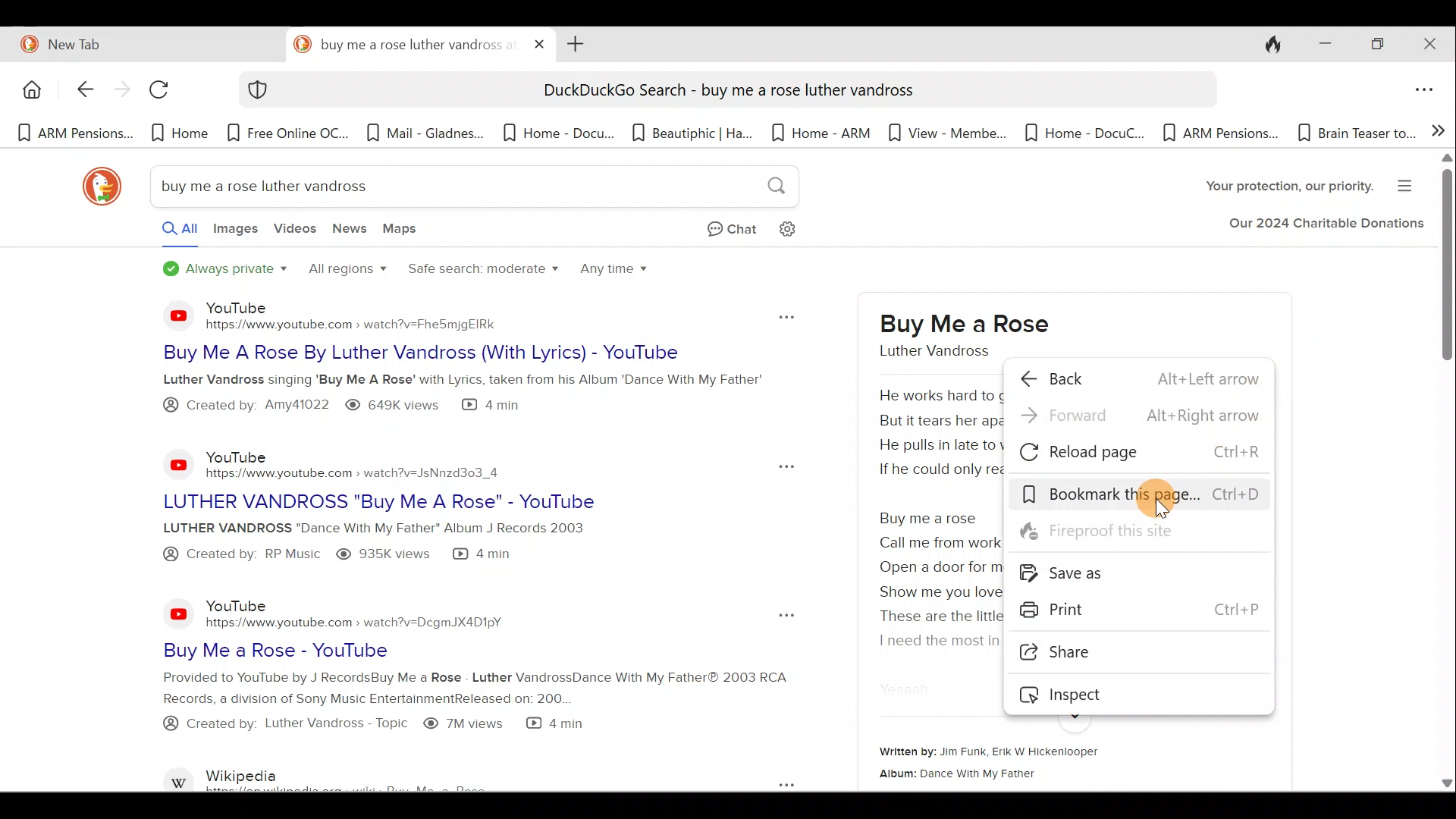 The image size is (1456, 819). Describe the element at coordinates (290, 133) in the screenshot. I see `Bookmark 3` at that location.